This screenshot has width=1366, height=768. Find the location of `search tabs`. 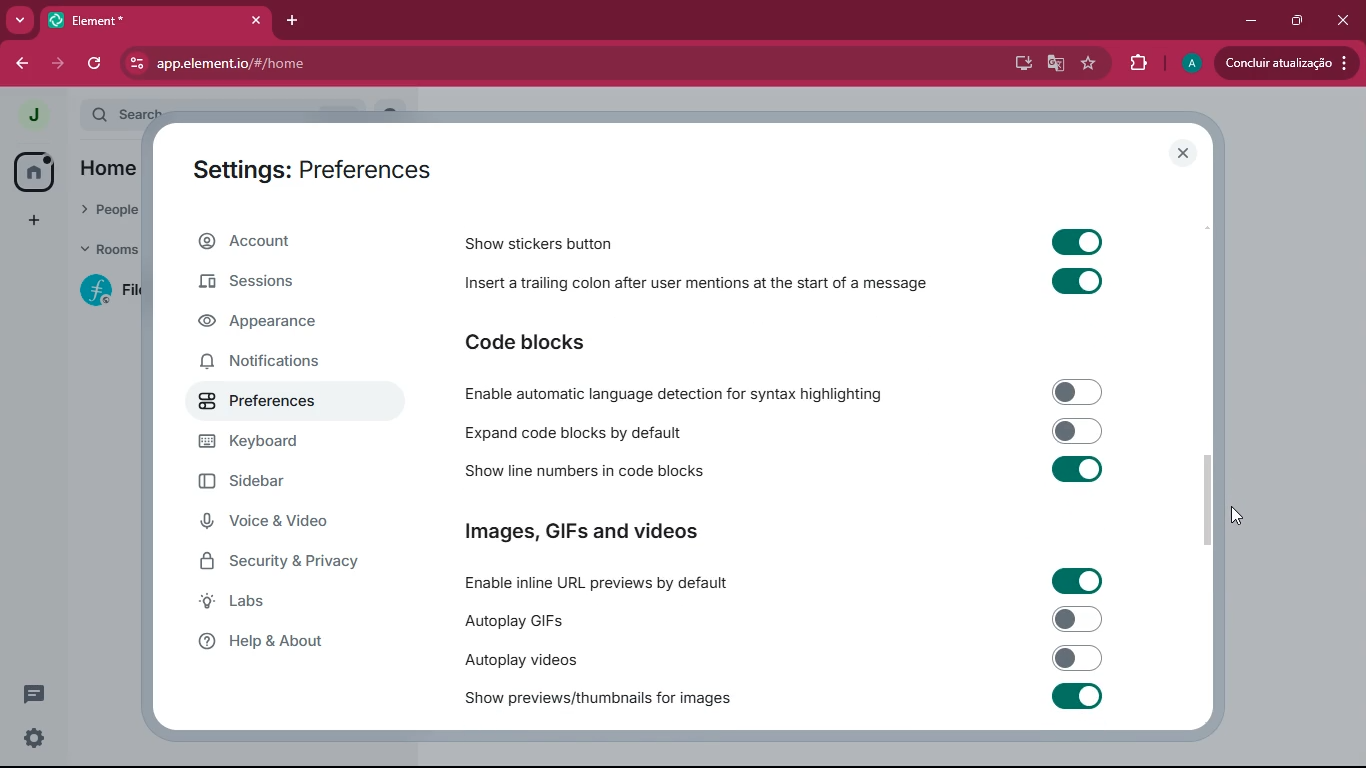

search tabs is located at coordinates (21, 22).